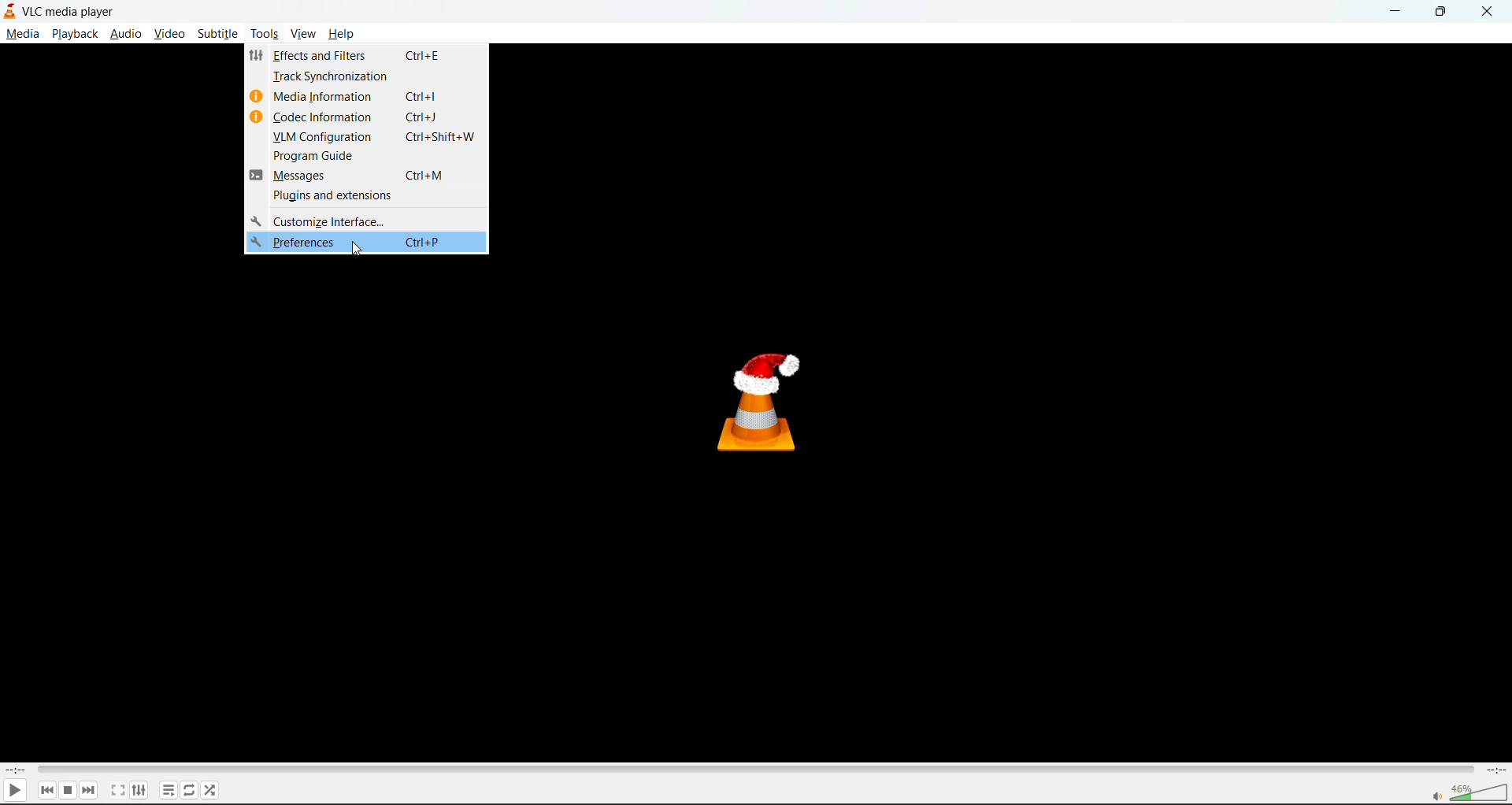 This screenshot has height=805, width=1512. I want to click on fullscreen, so click(116, 789).